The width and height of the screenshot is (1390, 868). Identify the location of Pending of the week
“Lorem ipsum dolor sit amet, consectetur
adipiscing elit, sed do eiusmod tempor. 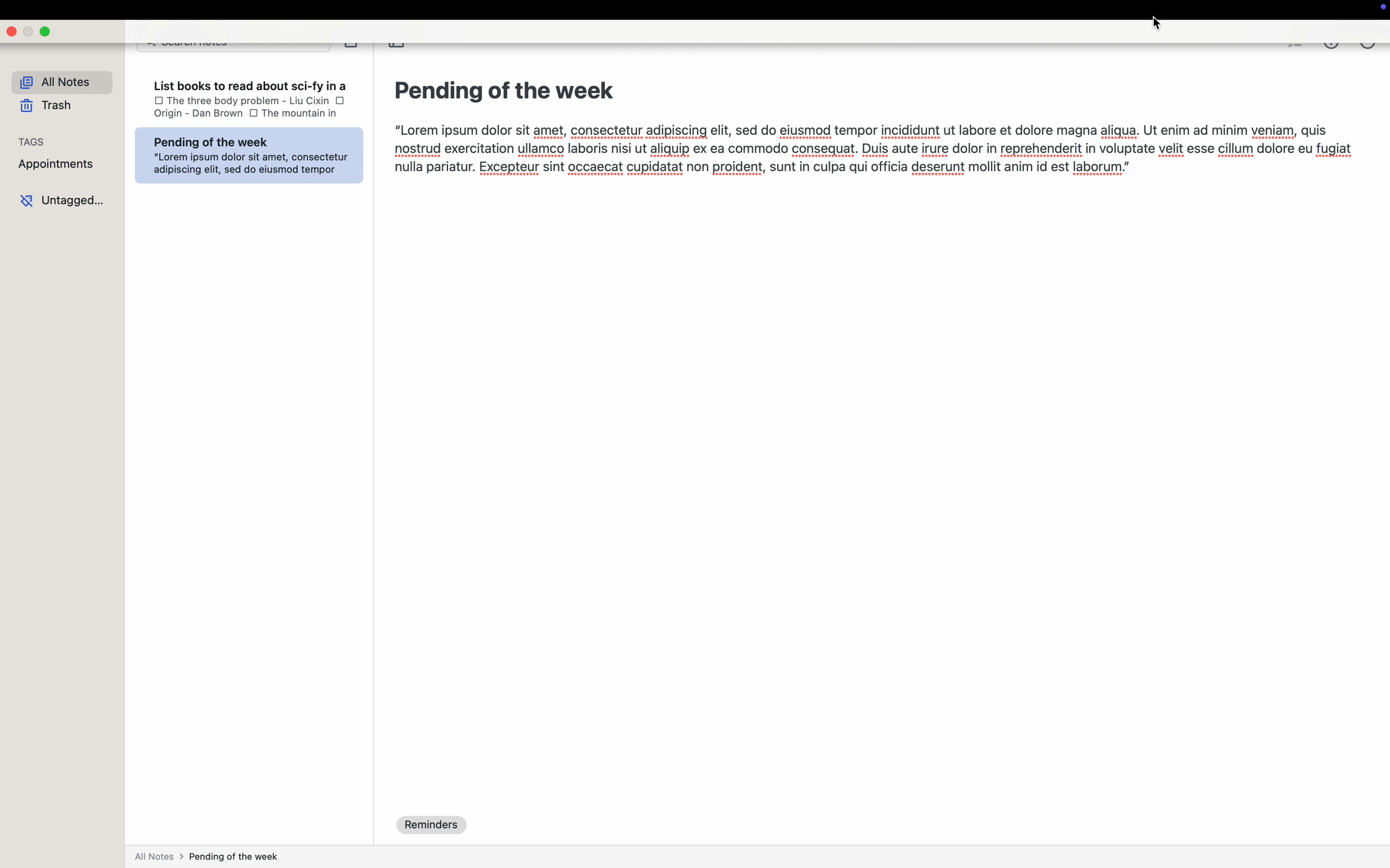
(246, 158).